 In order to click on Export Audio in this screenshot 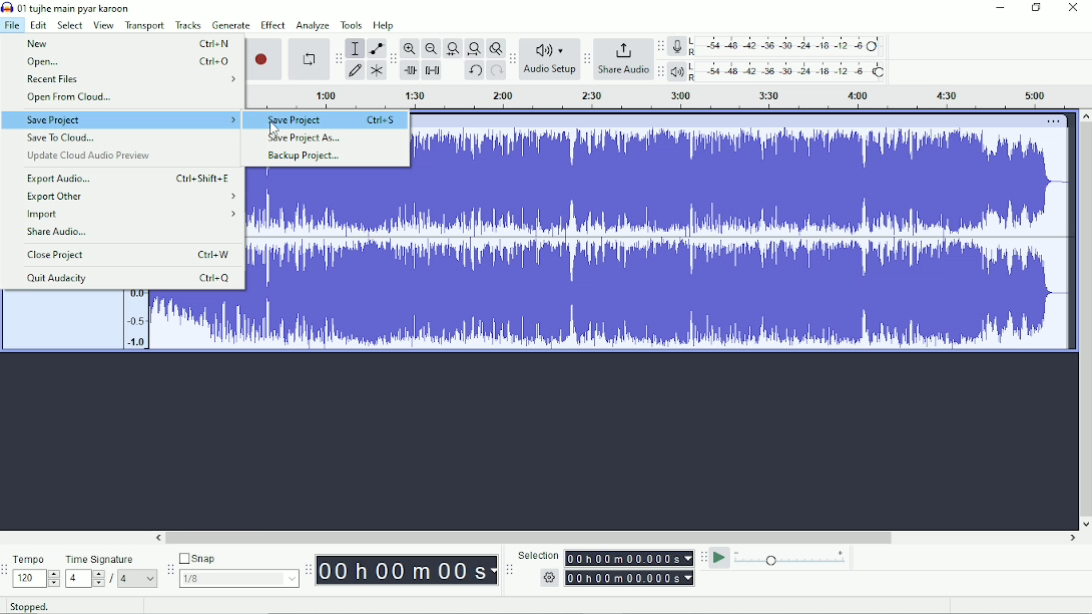, I will do `click(131, 178)`.